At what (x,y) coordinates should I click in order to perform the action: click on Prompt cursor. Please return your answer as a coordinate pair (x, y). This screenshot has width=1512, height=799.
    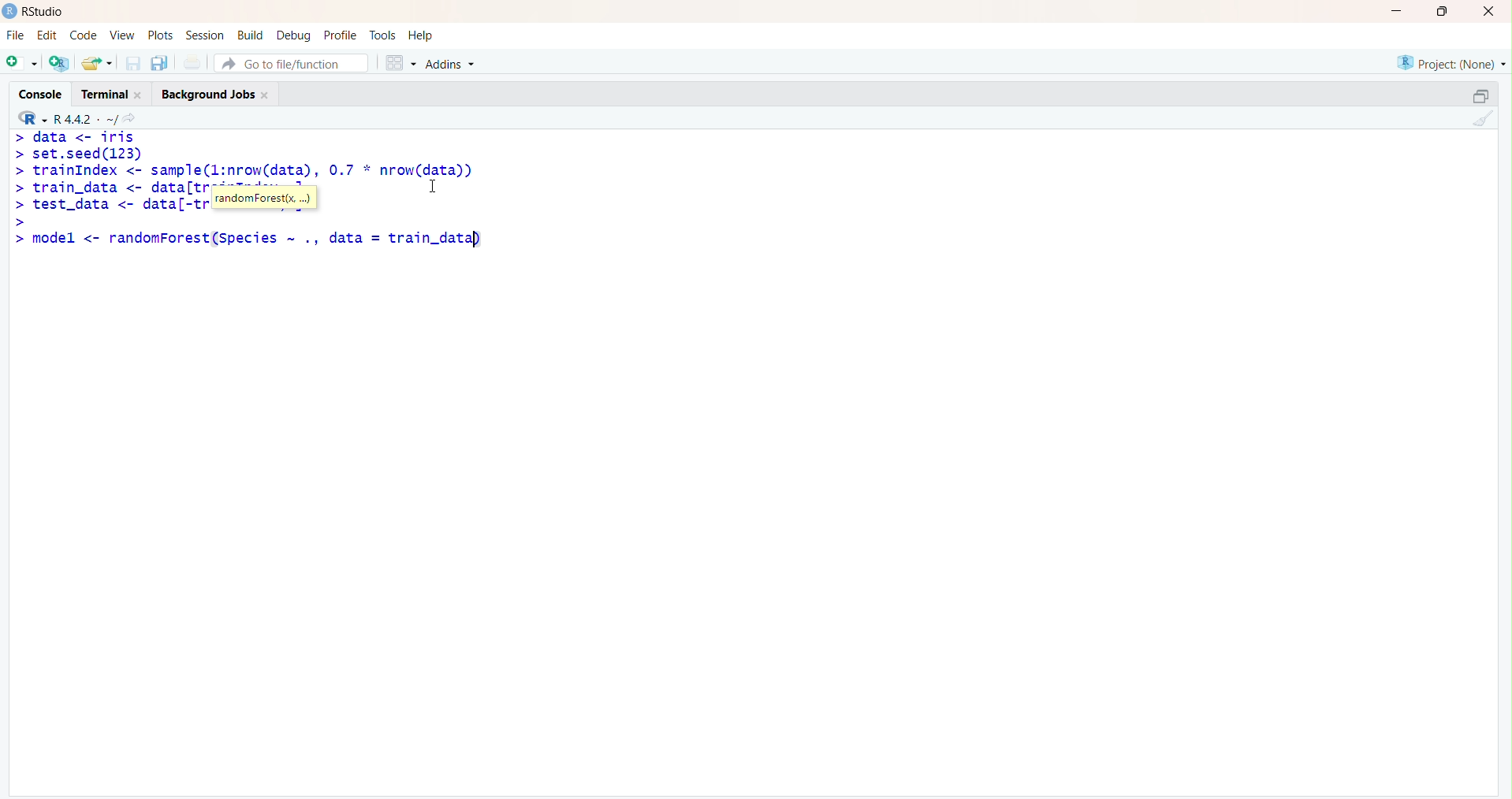
    Looking at the image, I should click on (17, 171).